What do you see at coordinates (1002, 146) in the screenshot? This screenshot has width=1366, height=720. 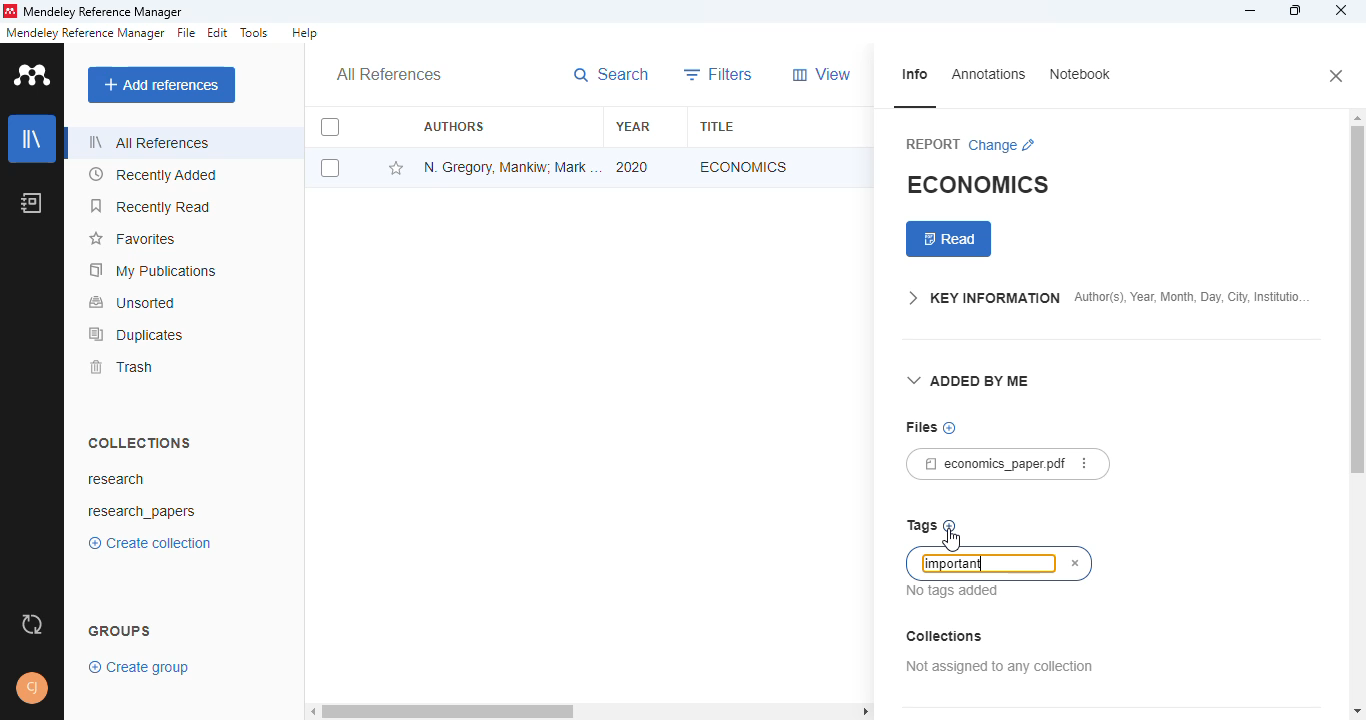 I see `change` at bounding box center [1002, 146].